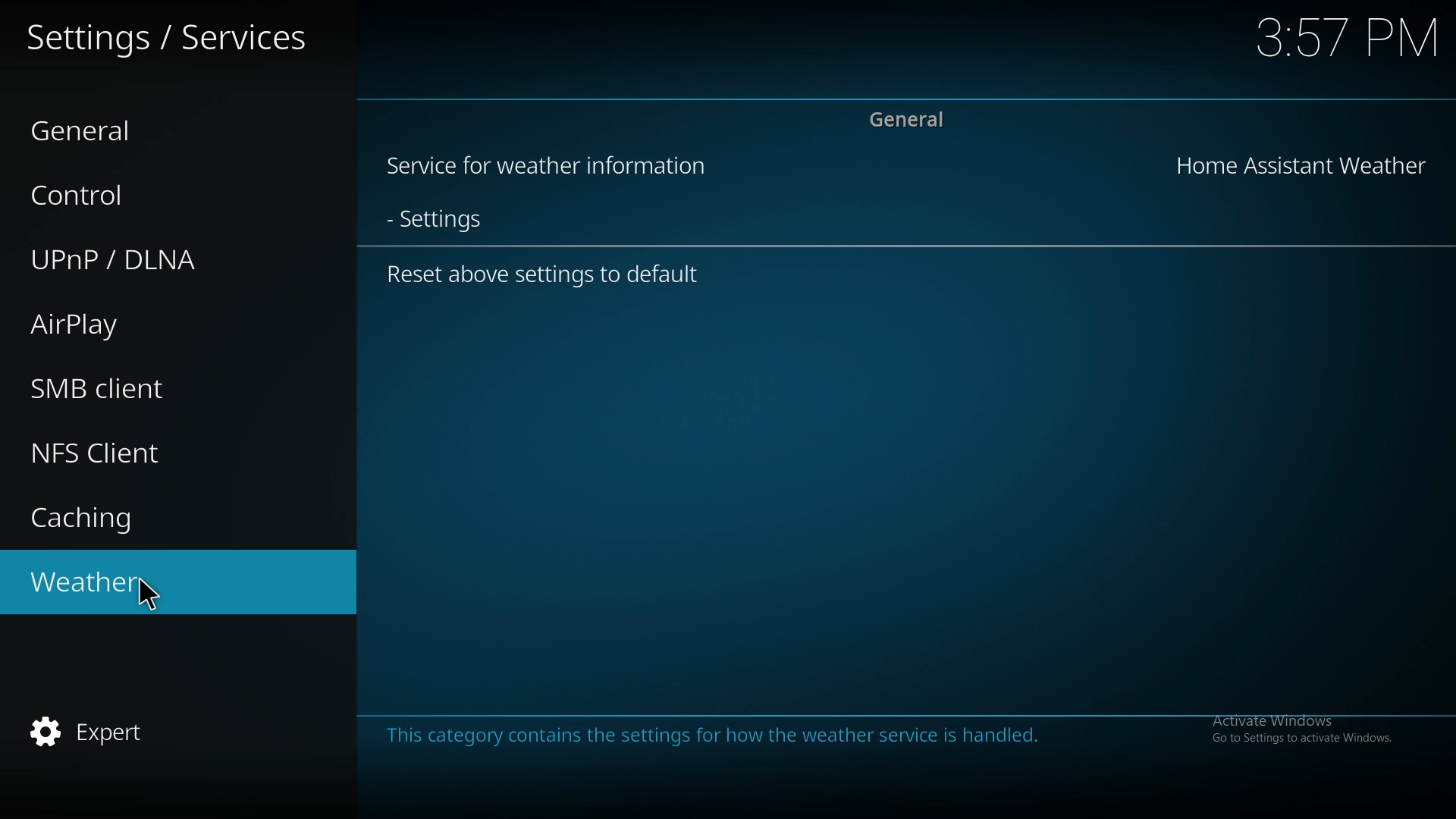  Describe the element at coordinates (720, 735) in the screenshot. I see `info` at that location.